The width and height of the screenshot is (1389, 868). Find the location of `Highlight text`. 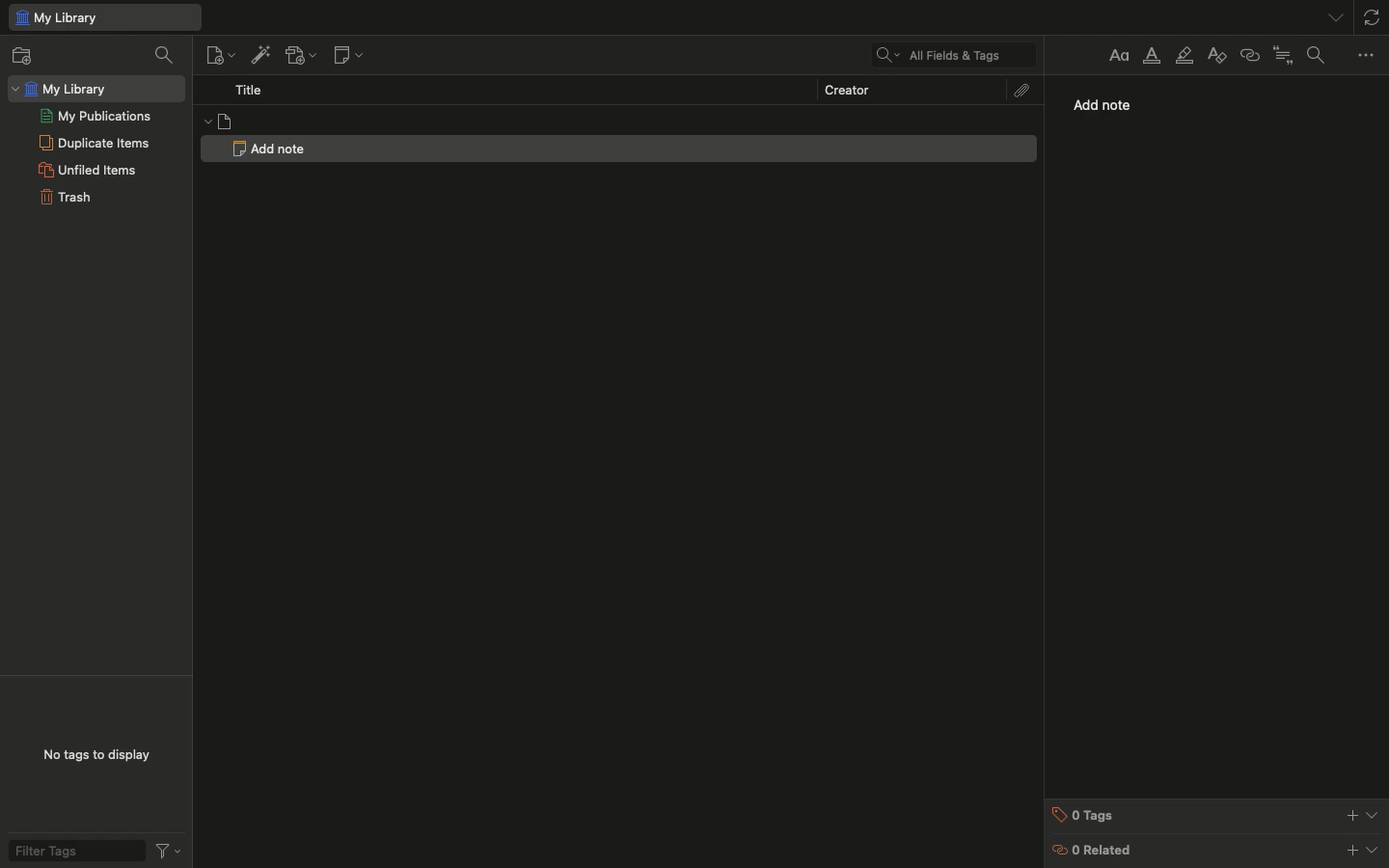

Highlight text is located at coordinates (1185, 57).